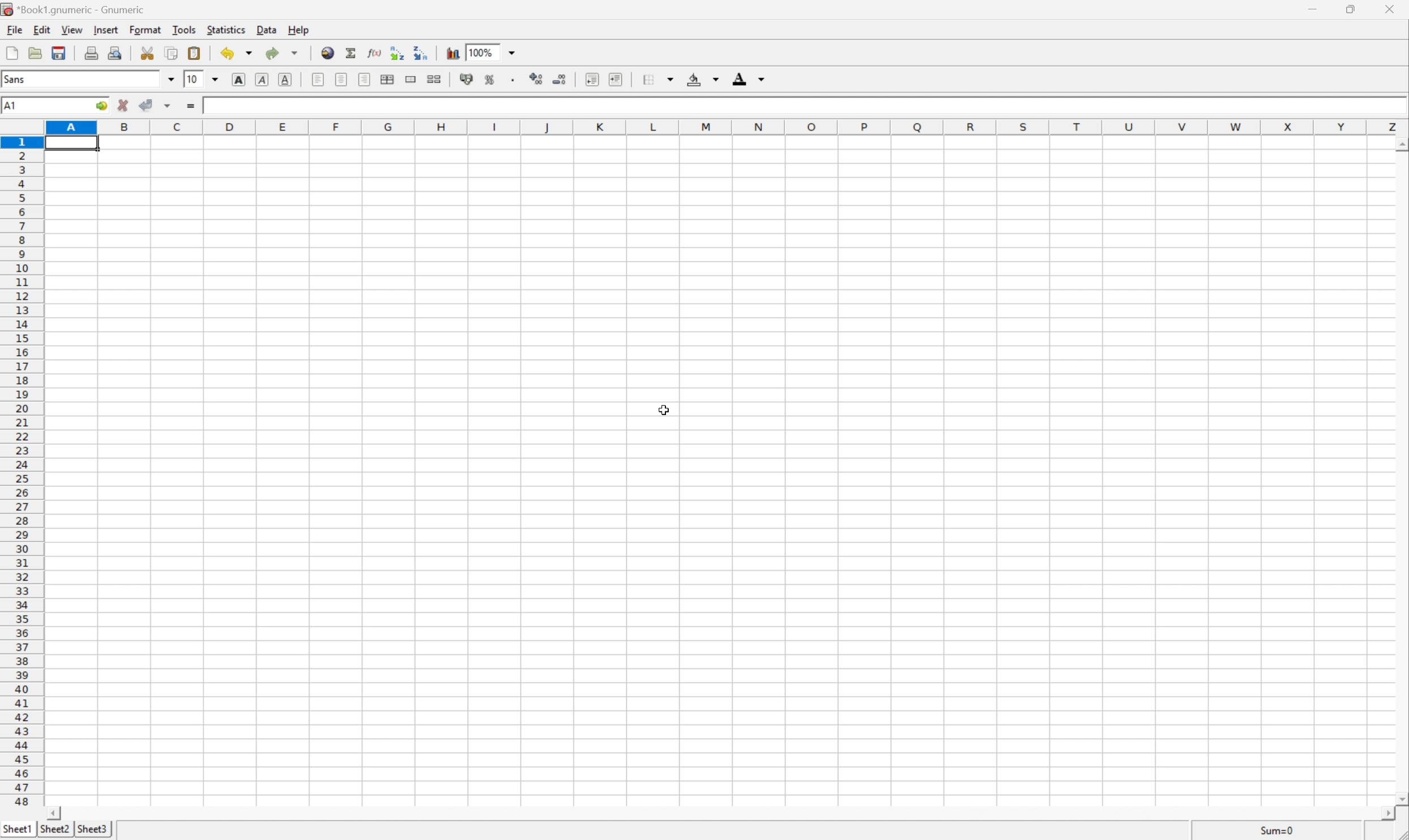  I want to click on Format the selection of accounting, so click(468, 79).